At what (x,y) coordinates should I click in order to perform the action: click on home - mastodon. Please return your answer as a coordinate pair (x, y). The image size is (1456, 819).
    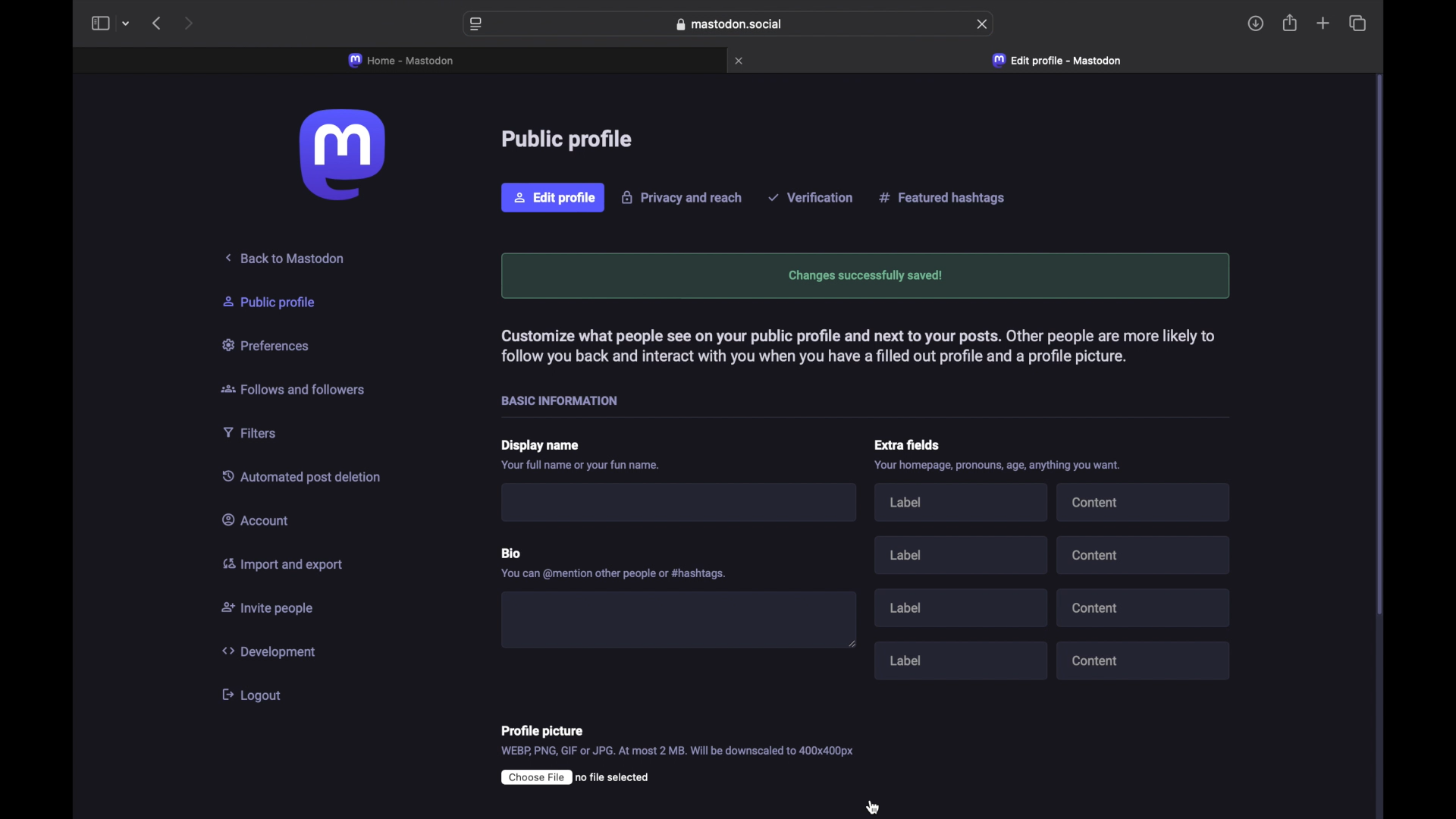
    Looking at the image, I should click on (401, 60).